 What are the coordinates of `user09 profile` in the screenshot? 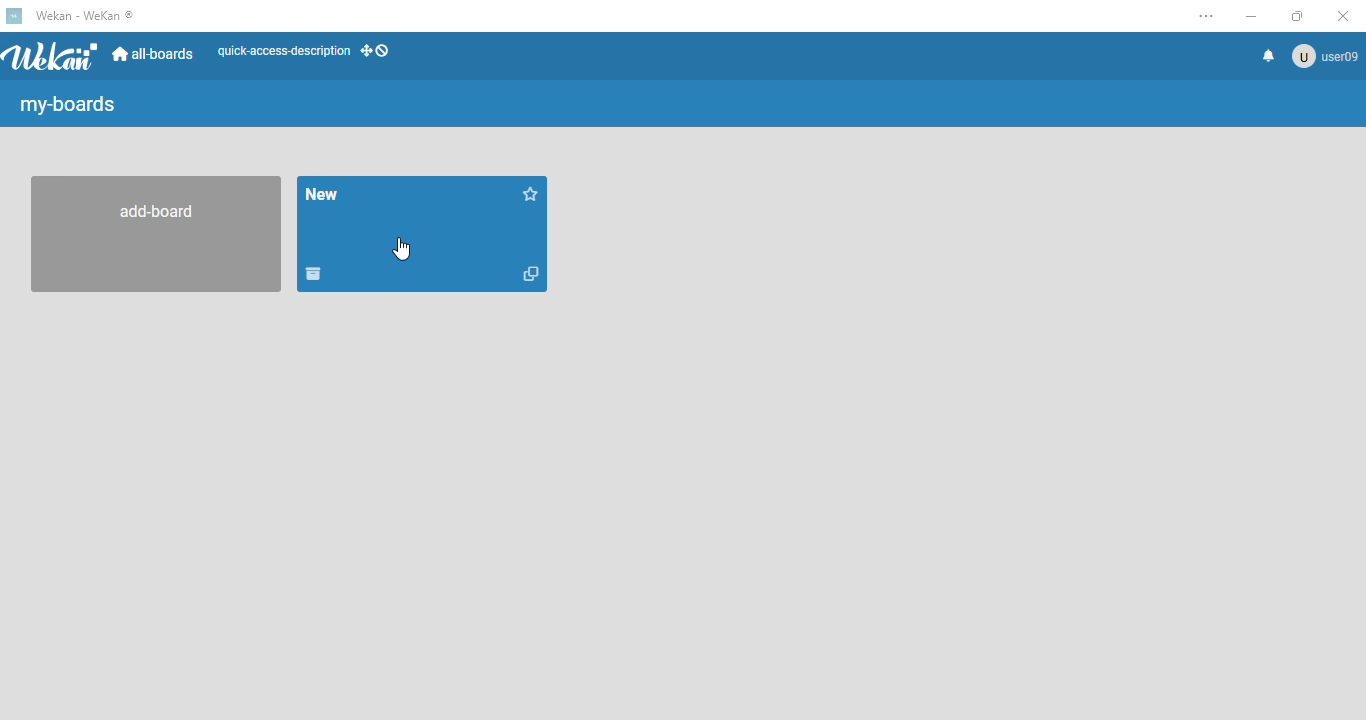 It's located at (1325, 56).